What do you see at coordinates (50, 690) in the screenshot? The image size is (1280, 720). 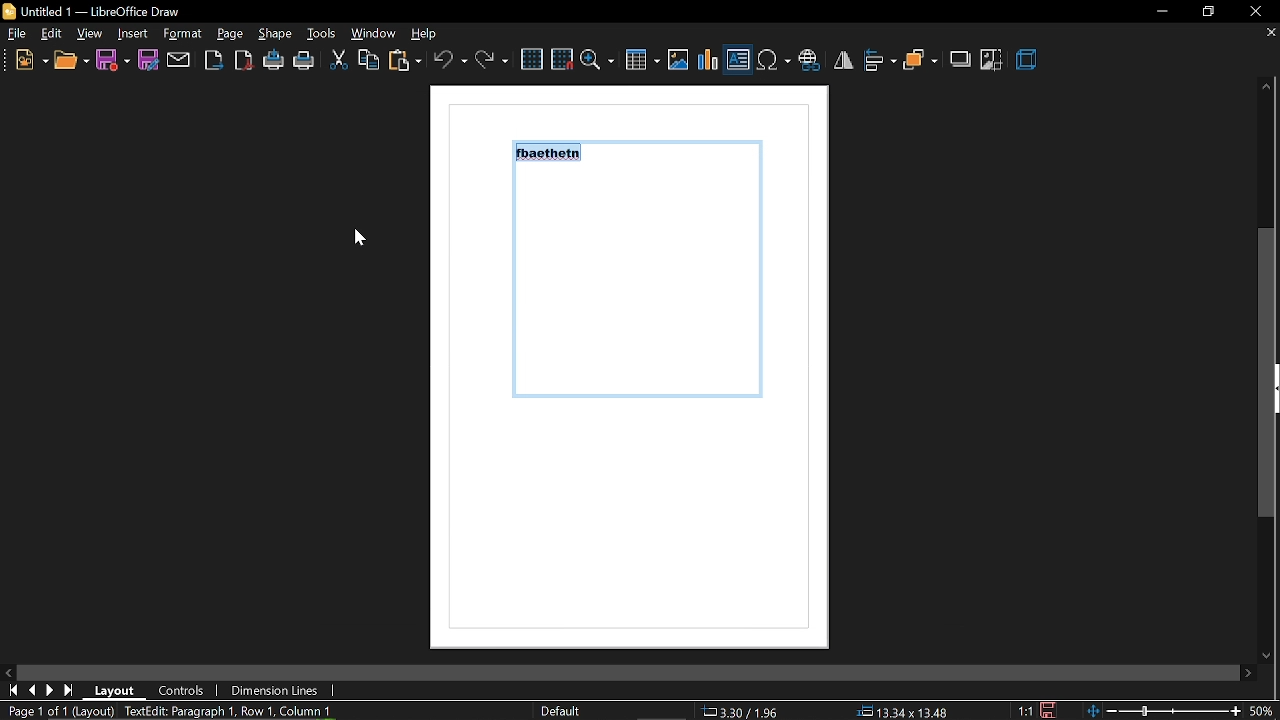 I see `next page` at bounding box center [50, 690].